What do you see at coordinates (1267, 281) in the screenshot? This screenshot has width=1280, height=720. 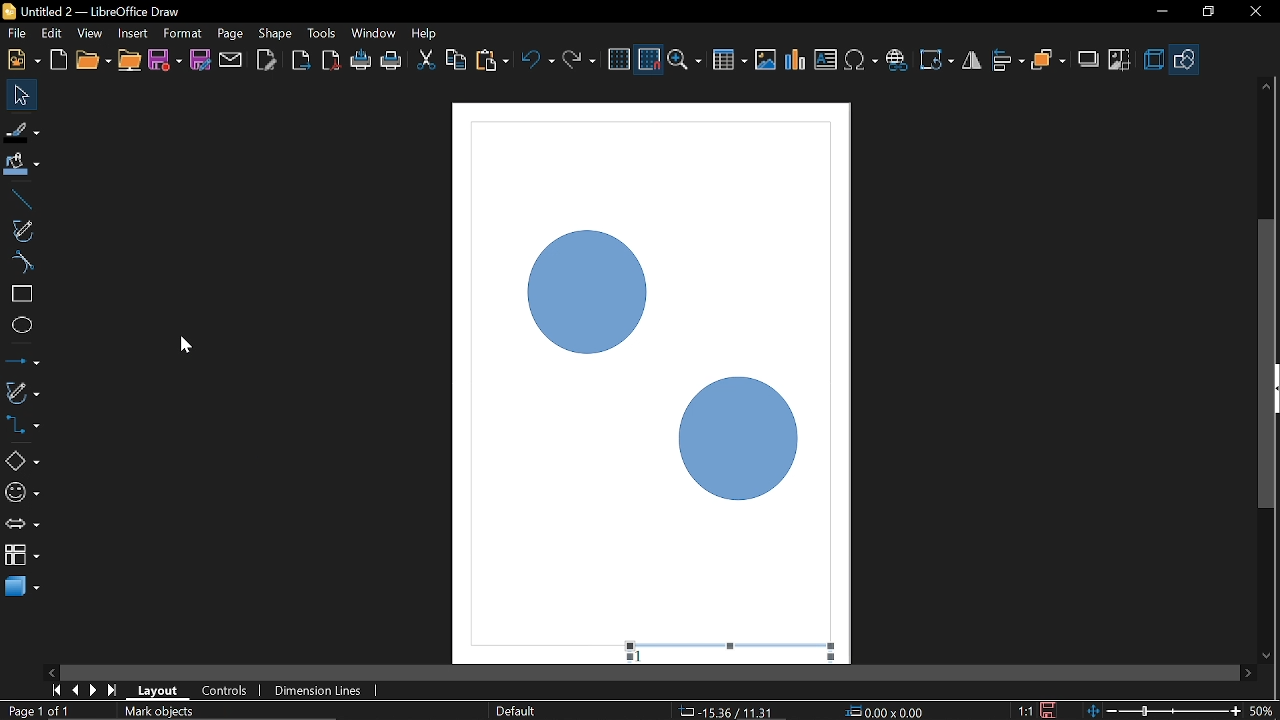 I see `vertical scrollbar` at bounding box center [1267, 281].